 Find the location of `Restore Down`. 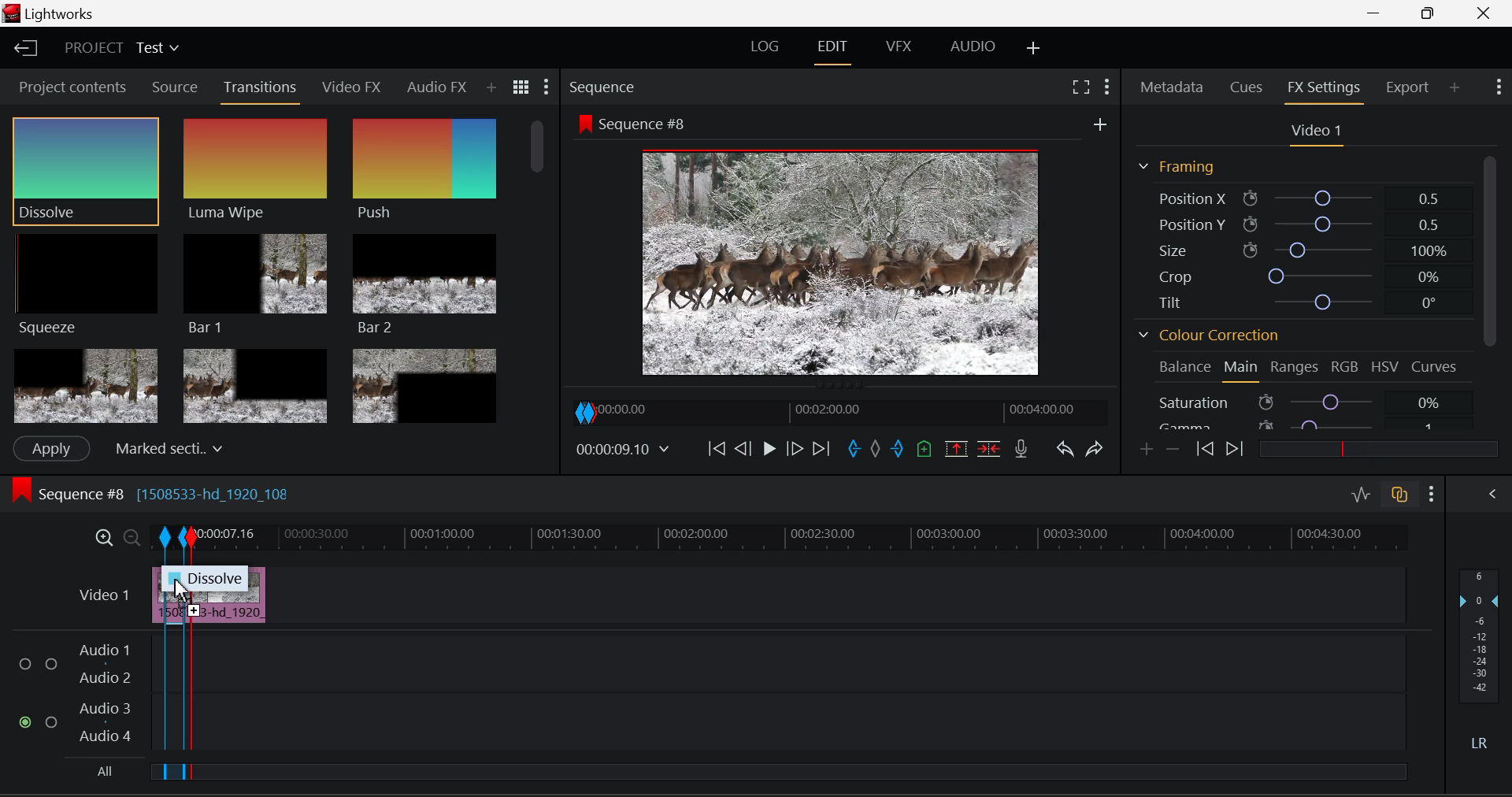

Restore Down is located at coordinates (1379, 13).